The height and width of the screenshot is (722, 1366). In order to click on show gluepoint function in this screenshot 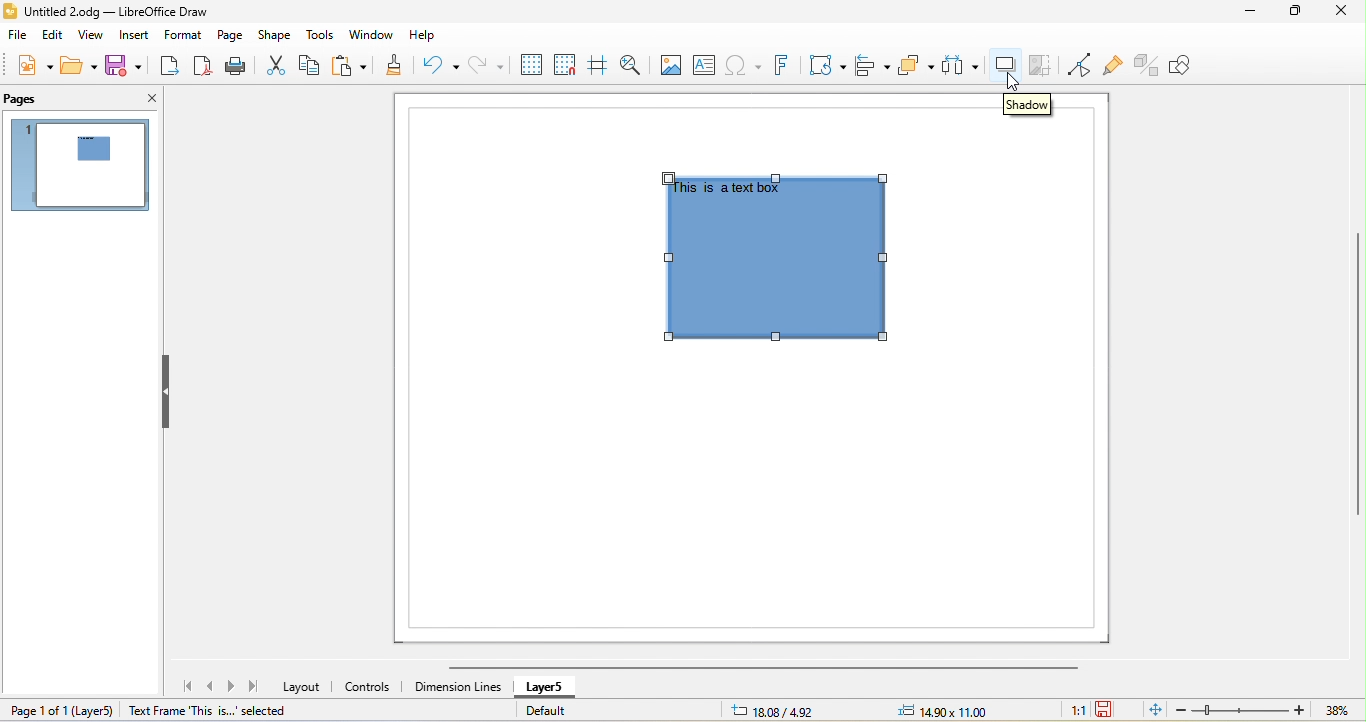, I will do `click(1112, 66)`.